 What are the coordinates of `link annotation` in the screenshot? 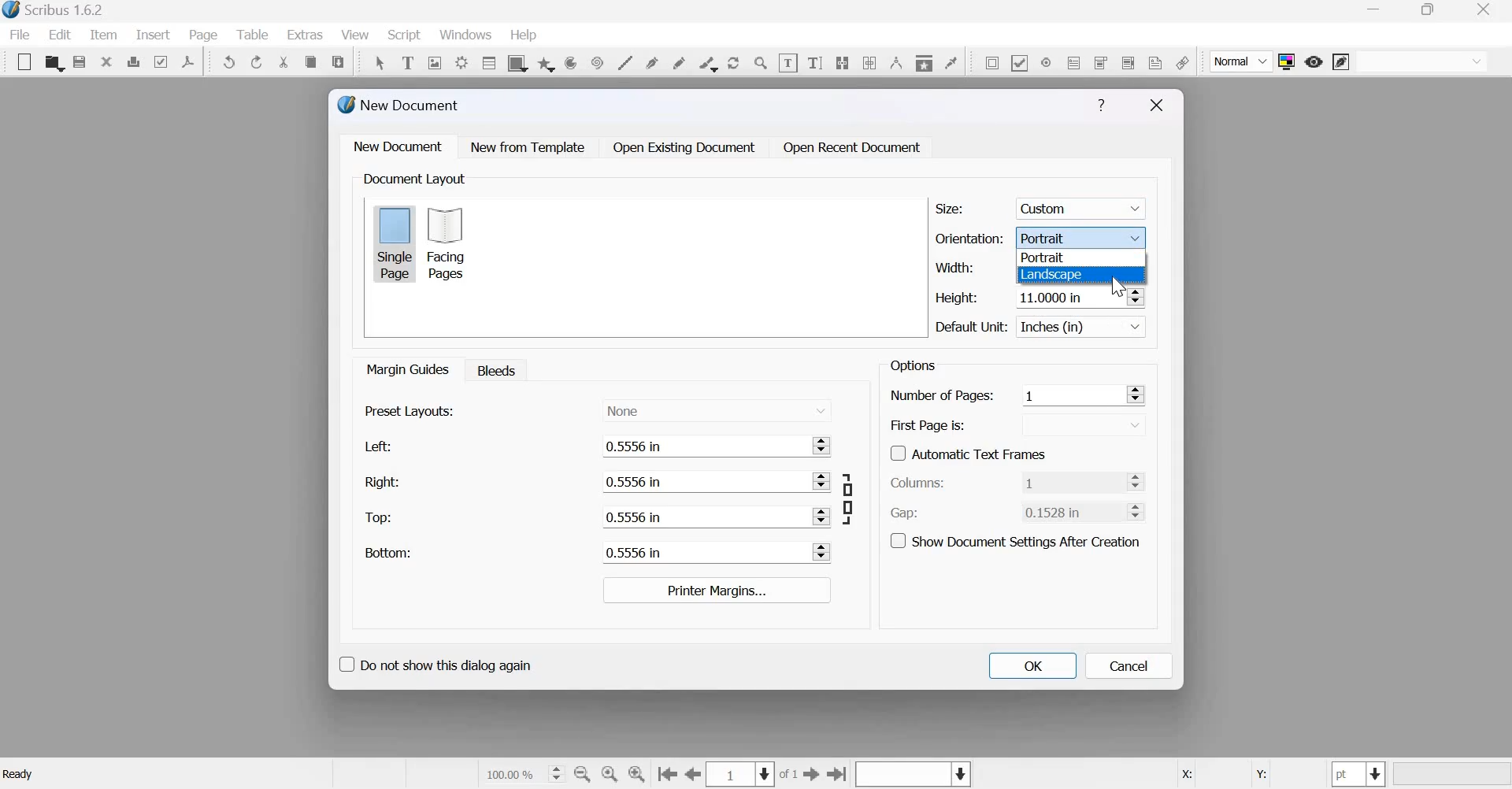 It's located at (1182, 62).